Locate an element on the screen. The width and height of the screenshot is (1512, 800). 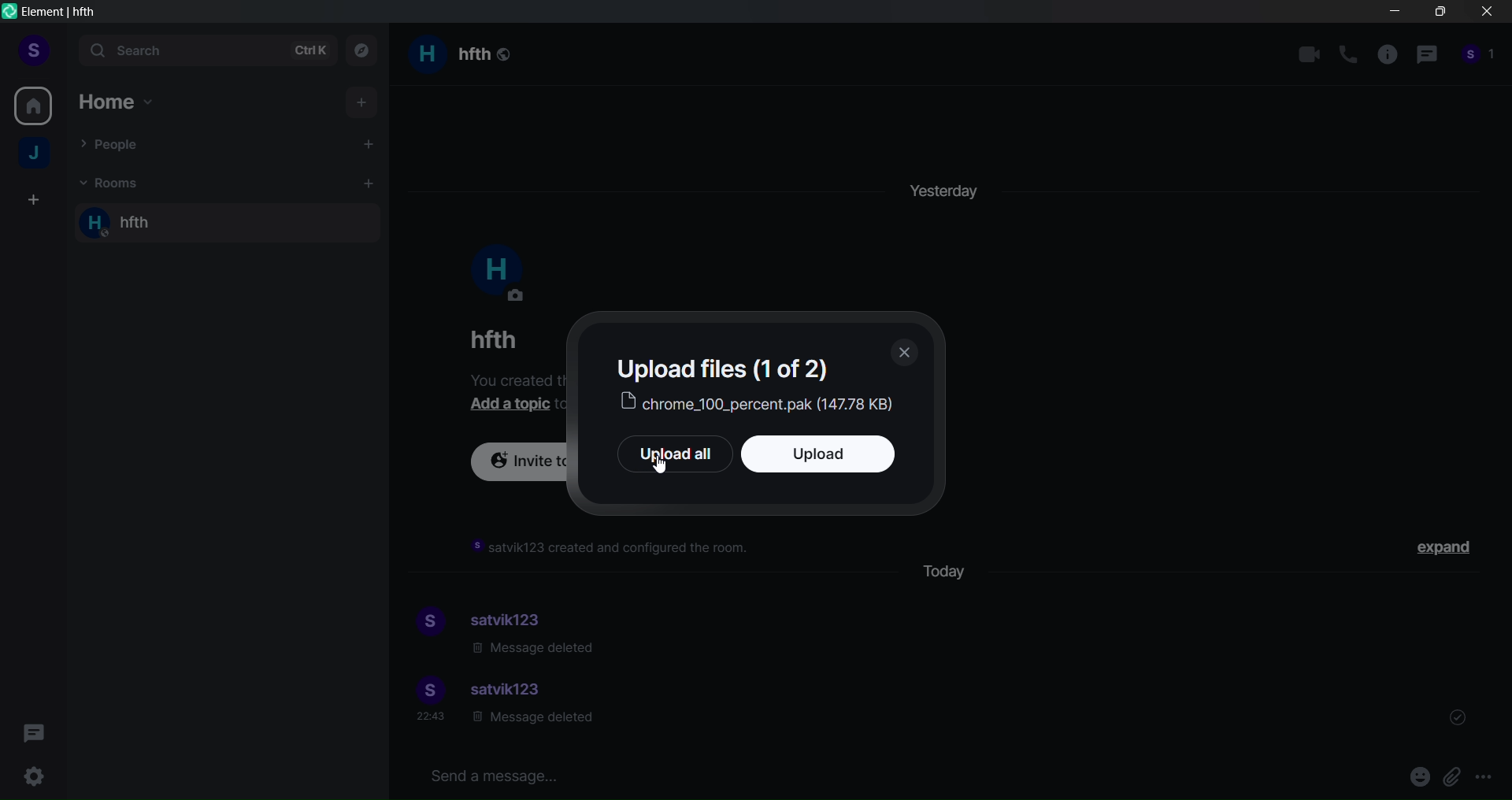
file name and size is located at coordinates (761, 404).